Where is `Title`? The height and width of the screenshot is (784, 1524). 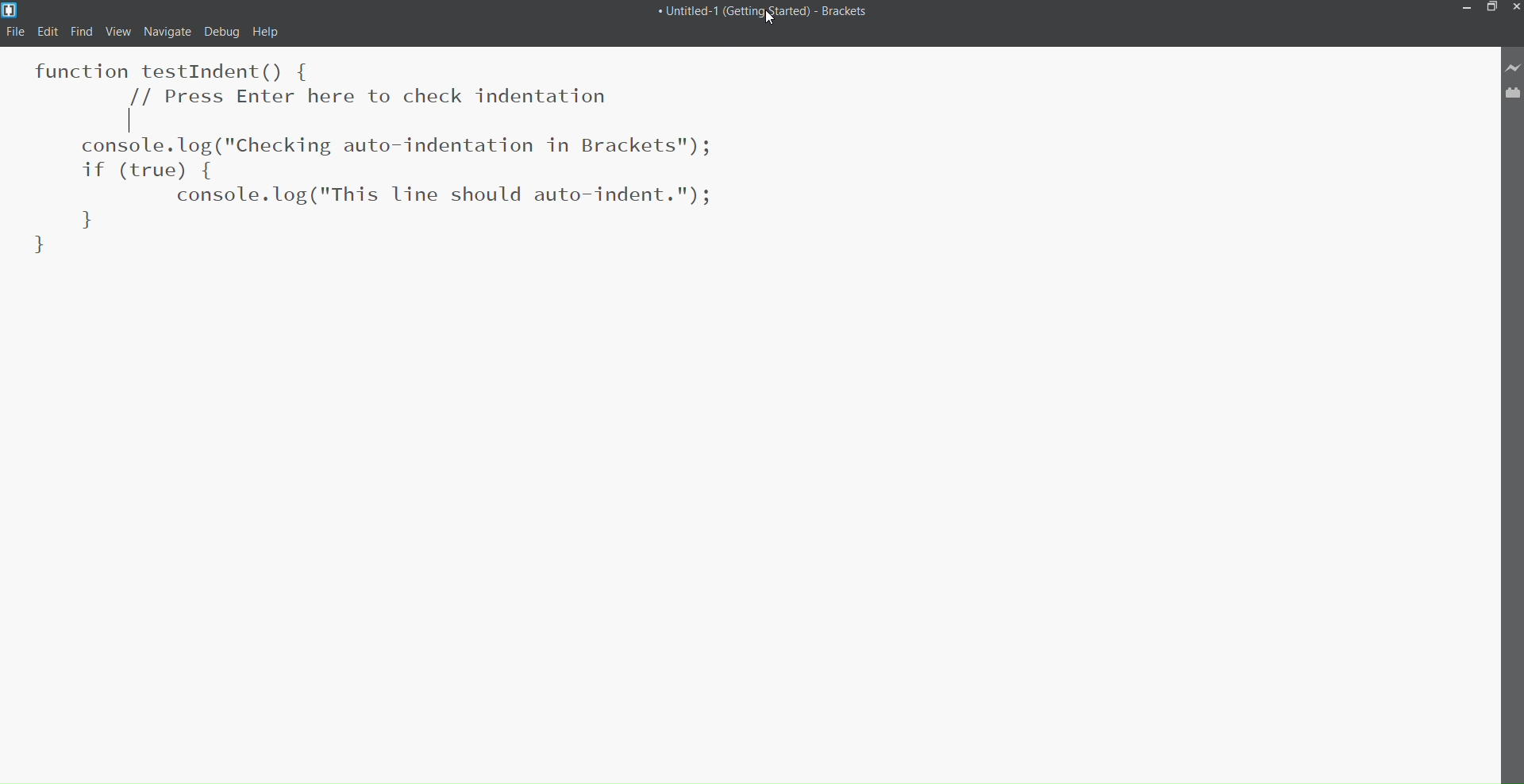 Title is located at coordinates (768, 14).